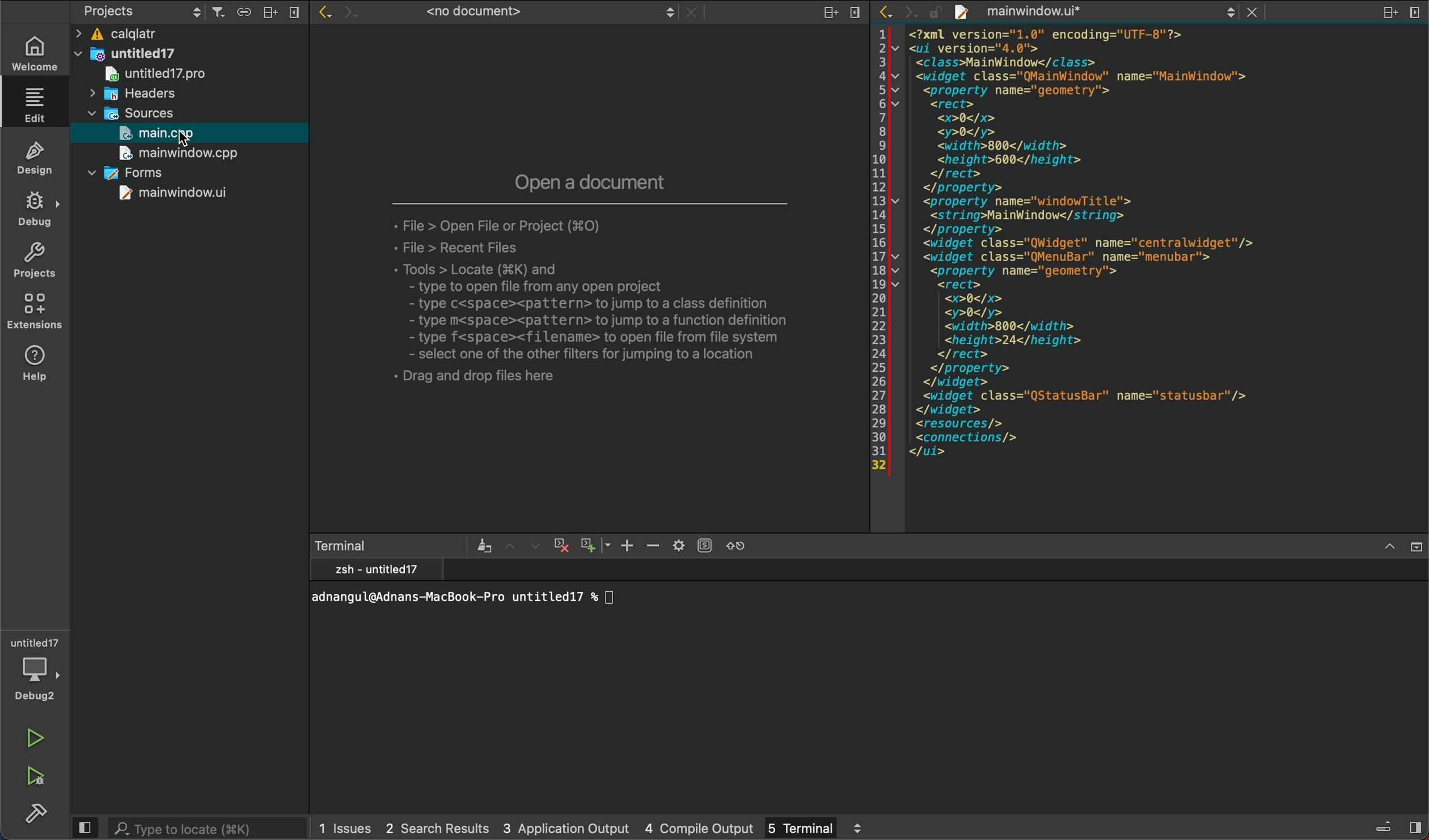  What do you see at coordinates (175, 154) in the screenshot?
I see `main window` at bounding box center [175, 154].